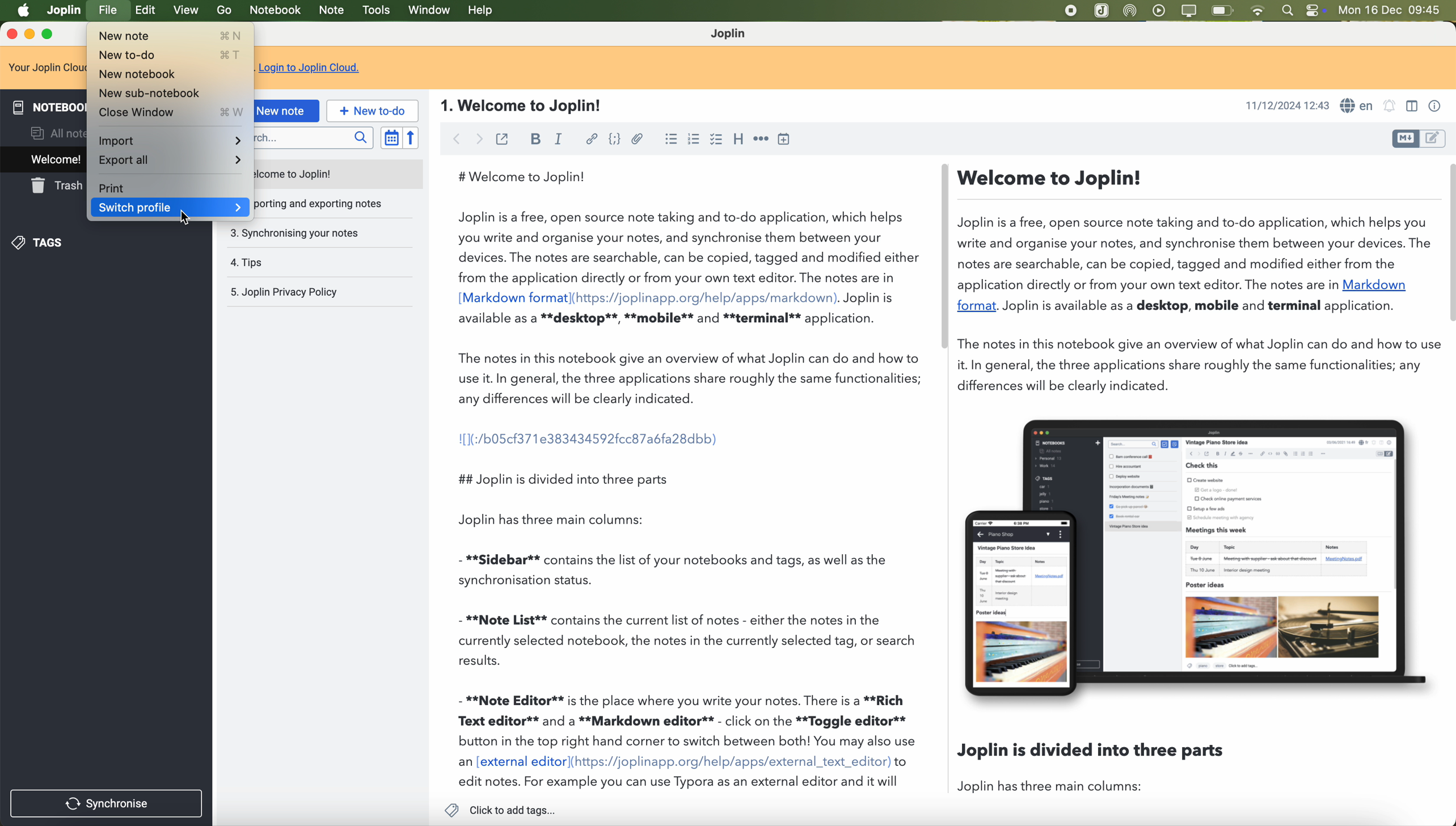  Describe the element at coordinates (168, 186) in the screenshot. I see `Print` at that location.